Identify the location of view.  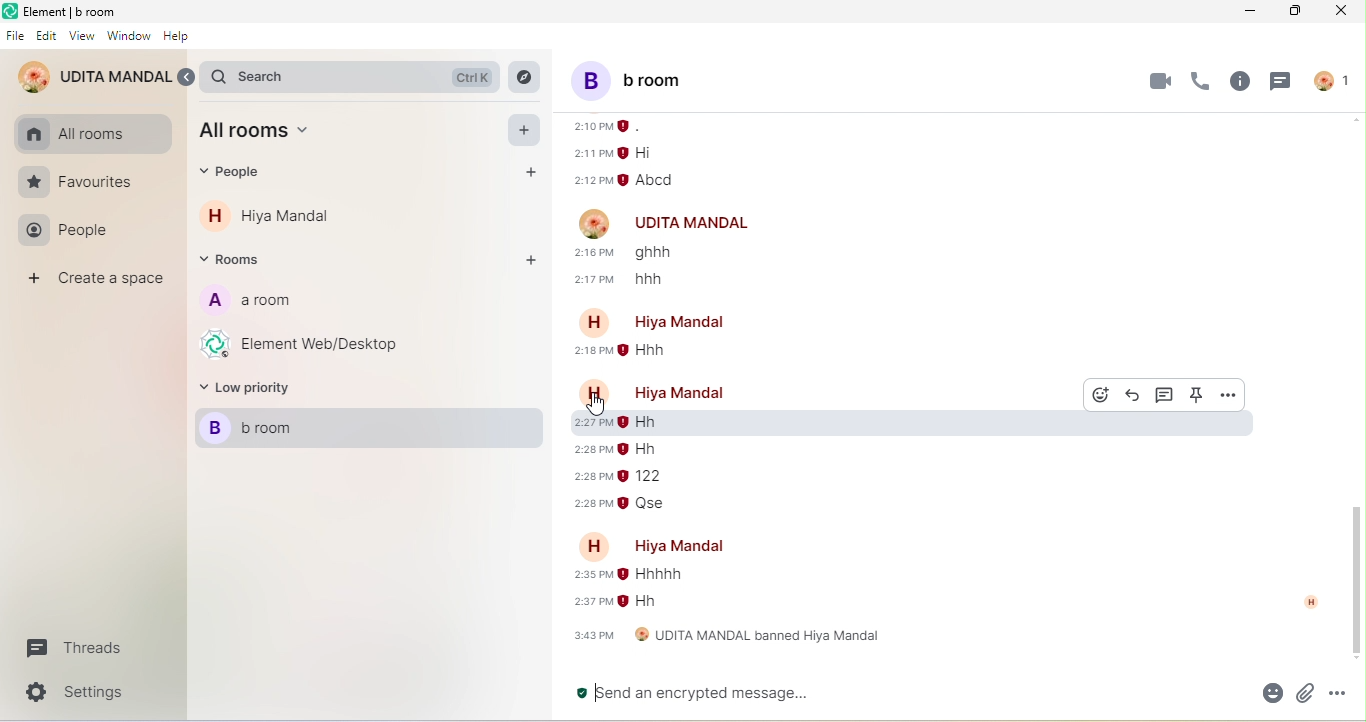
(84, 35).